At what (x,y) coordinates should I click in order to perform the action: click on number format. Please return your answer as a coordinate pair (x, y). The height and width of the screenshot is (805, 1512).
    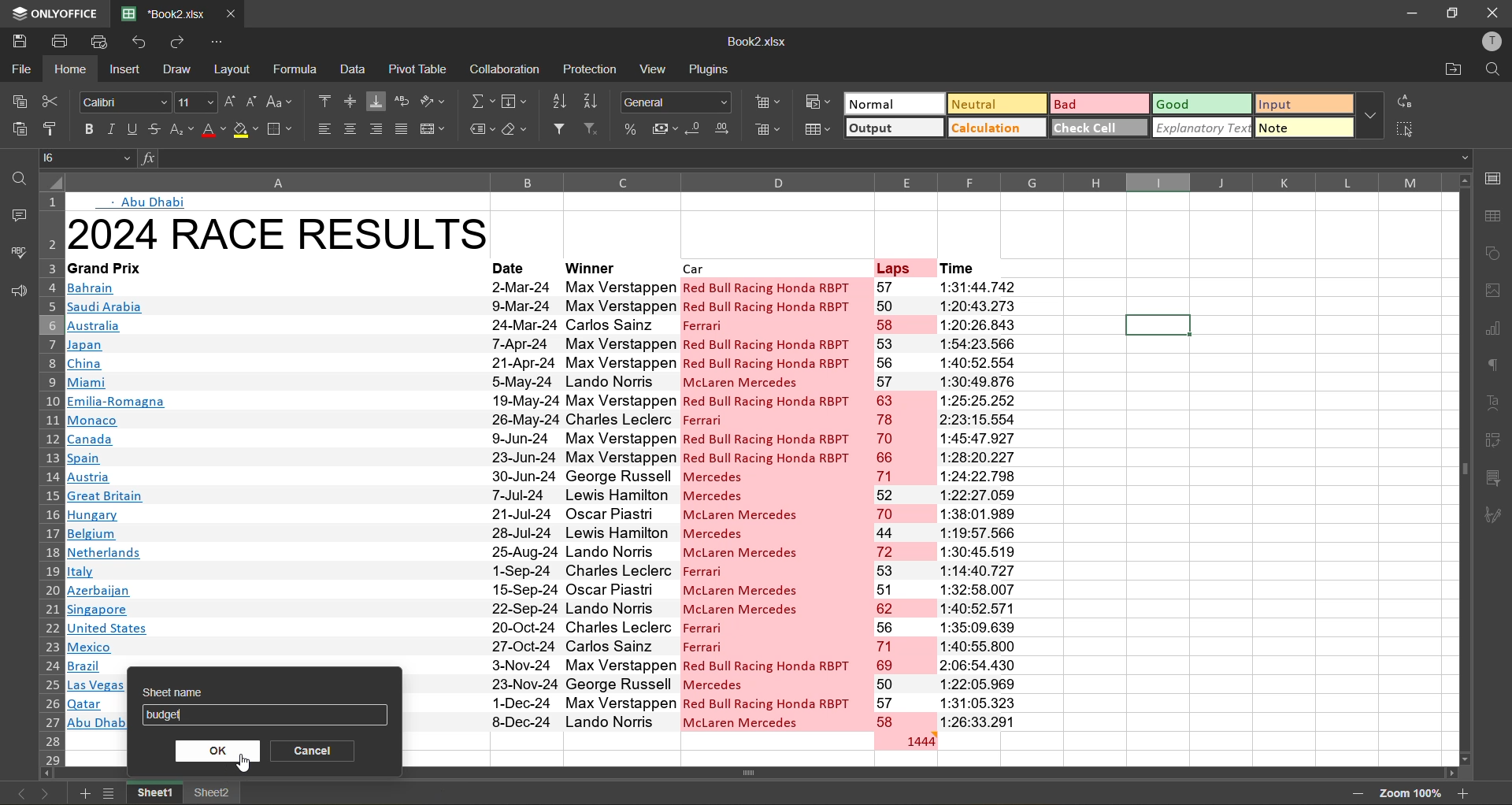
    Looking at the image, I should click on (677, 101).